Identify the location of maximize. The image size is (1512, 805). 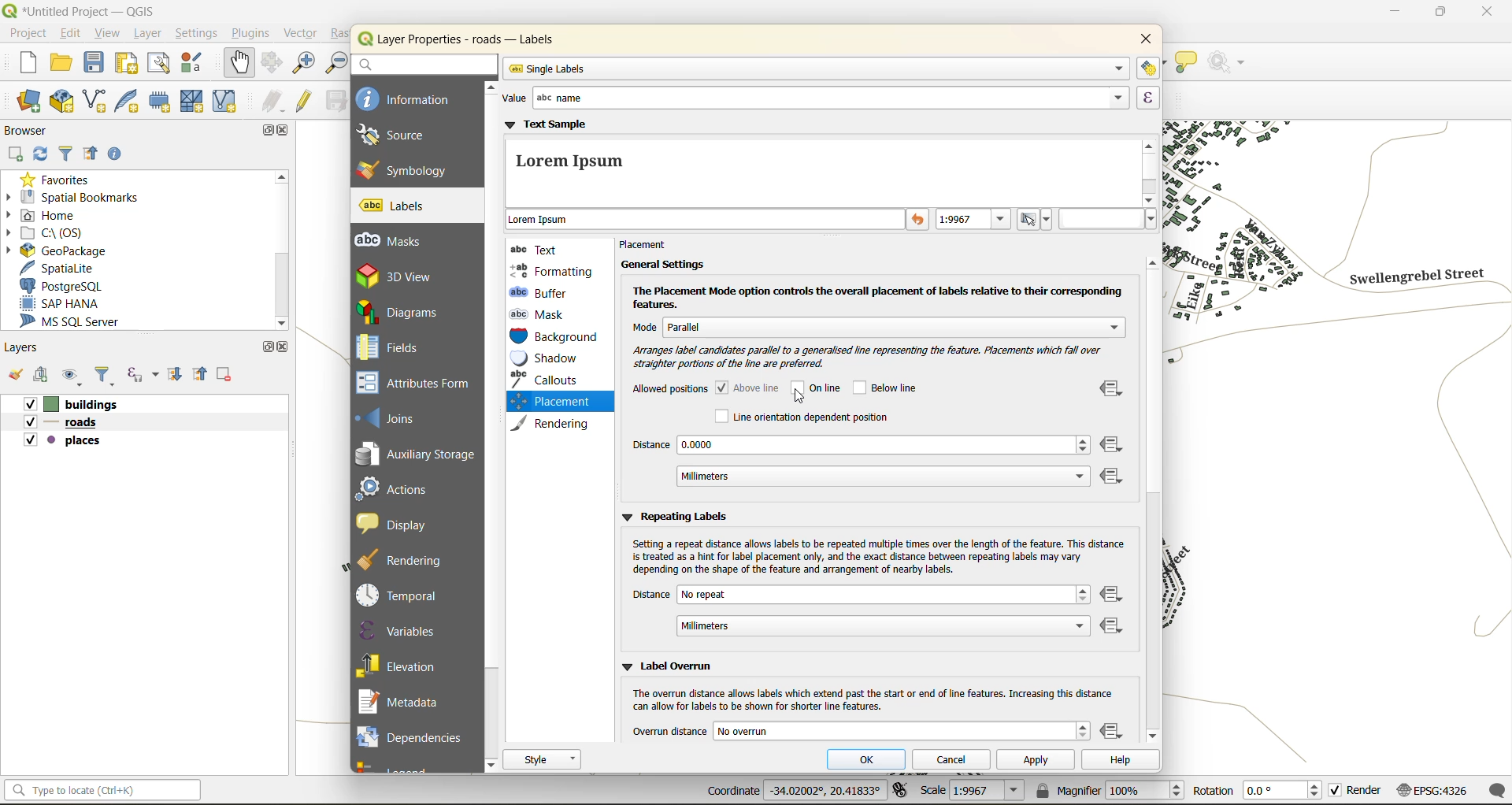
(265, 347).